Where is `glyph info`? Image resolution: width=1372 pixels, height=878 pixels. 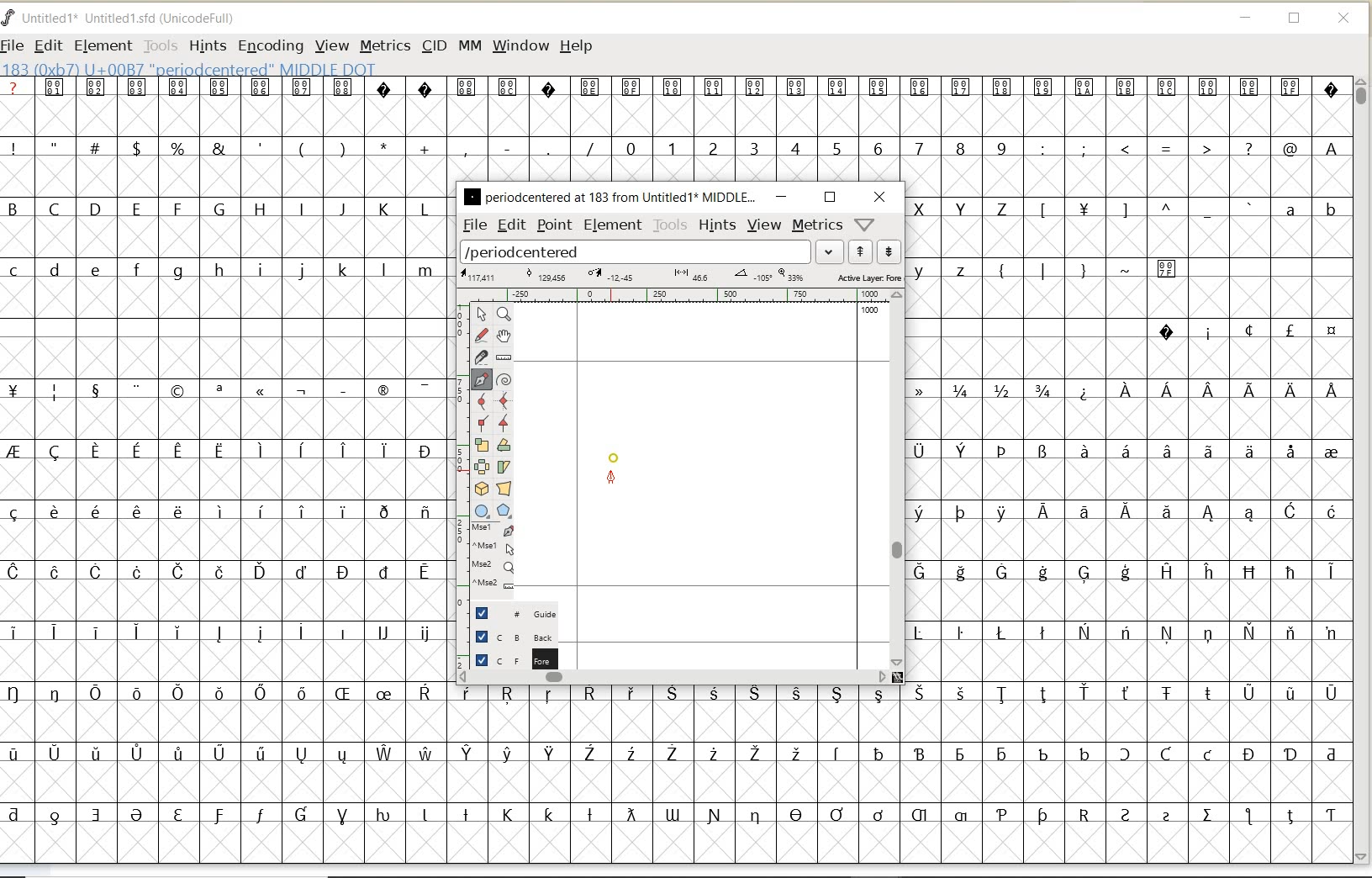
glyph info is located at coordinates (191, 68).